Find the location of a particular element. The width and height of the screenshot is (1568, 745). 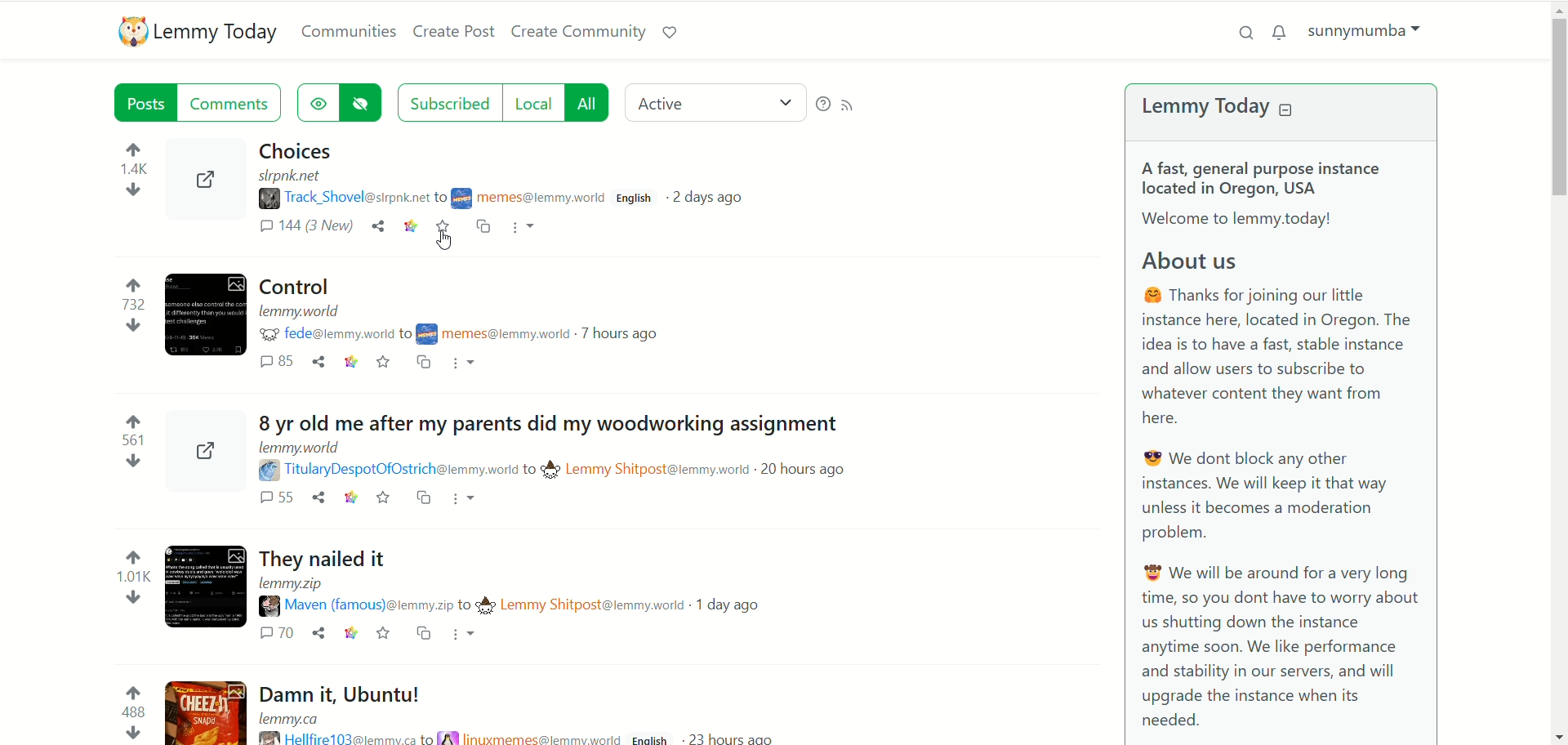

More is located at coordinates (464, 499).